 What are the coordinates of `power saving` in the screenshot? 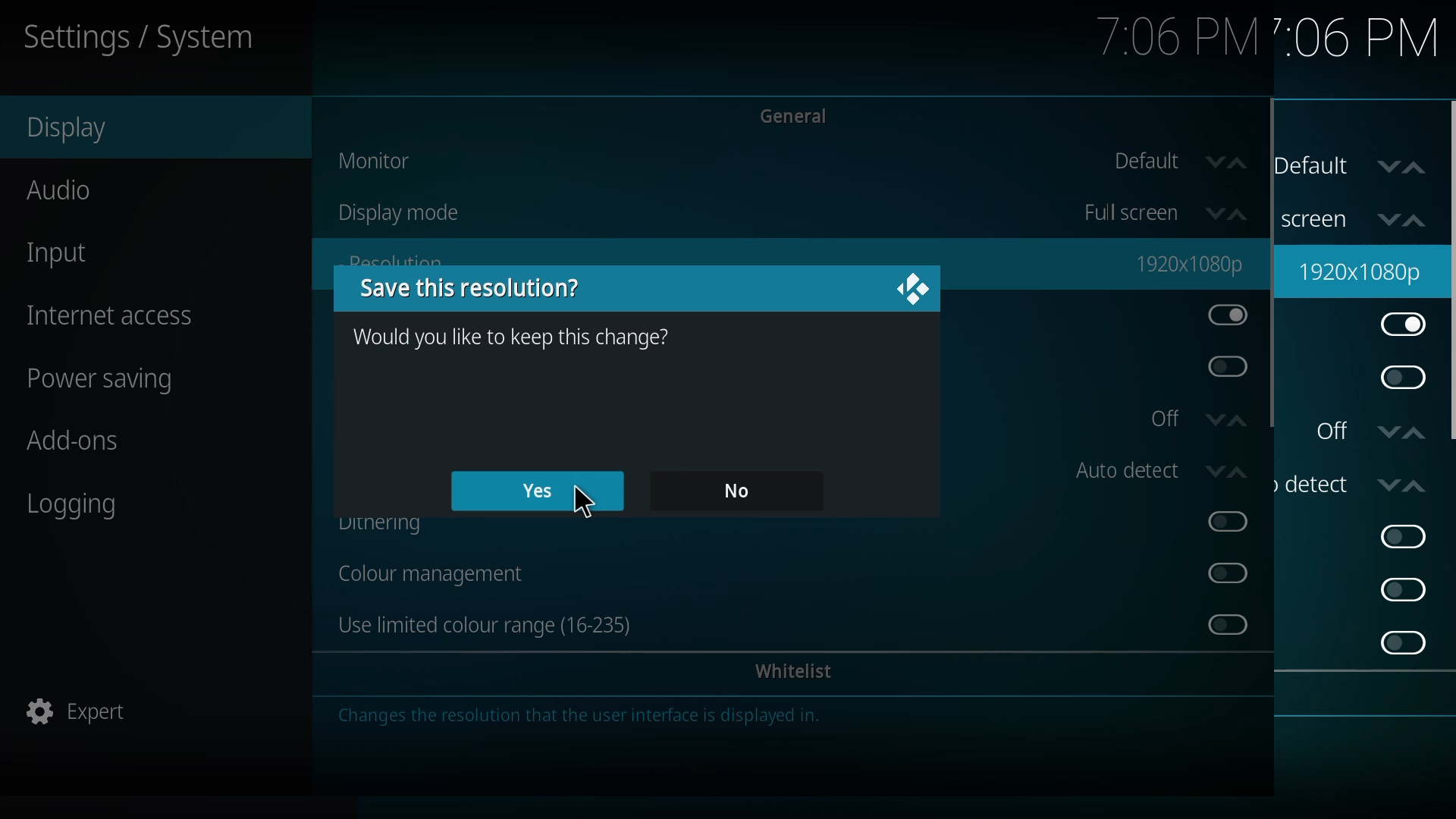 It's located at (130, 383).